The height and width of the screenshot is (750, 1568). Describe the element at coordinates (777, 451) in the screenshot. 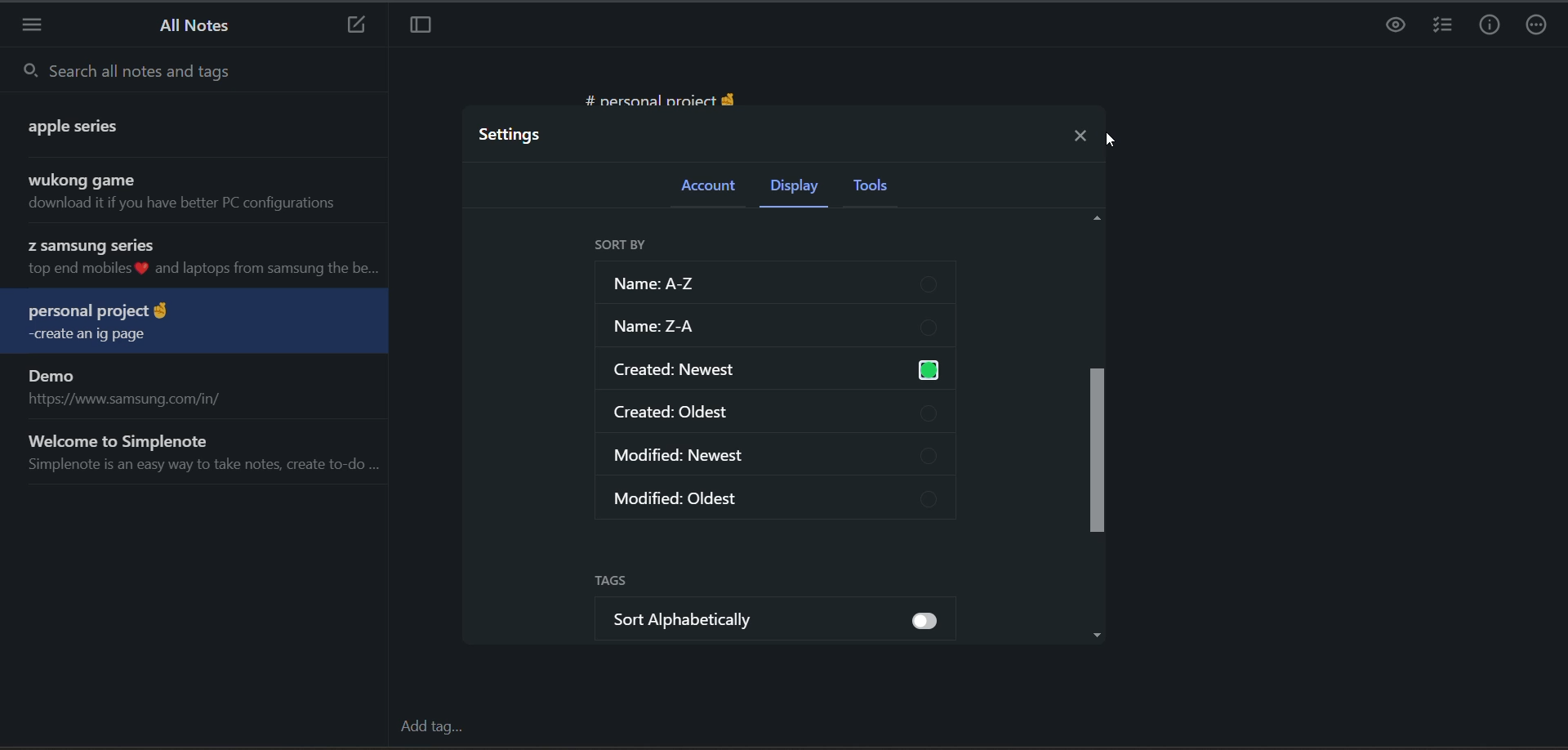

I see `modified newest` at that location.